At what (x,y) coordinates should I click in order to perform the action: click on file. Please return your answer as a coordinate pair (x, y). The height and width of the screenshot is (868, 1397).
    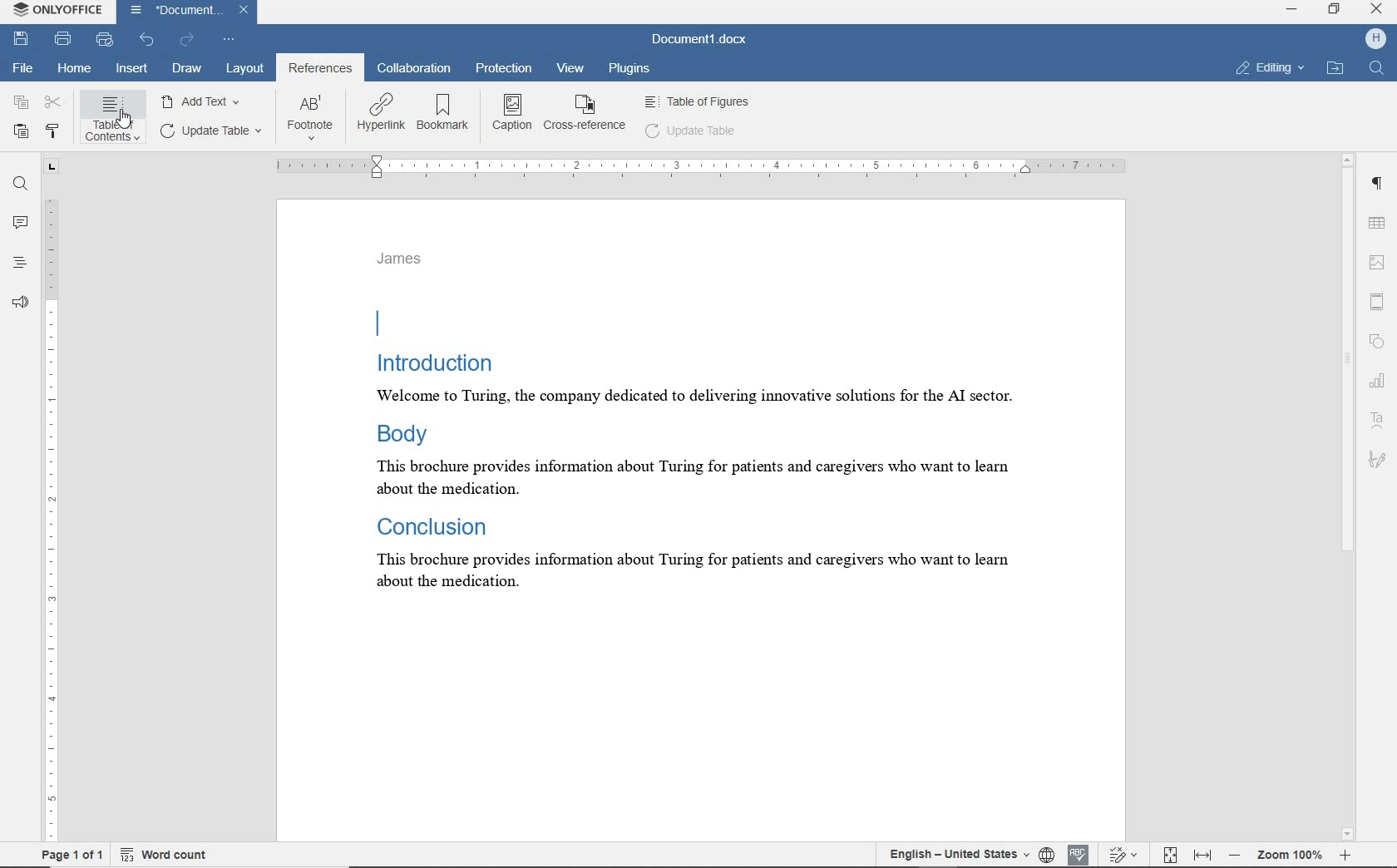
    Looking at the image, I should click on (22, 67).